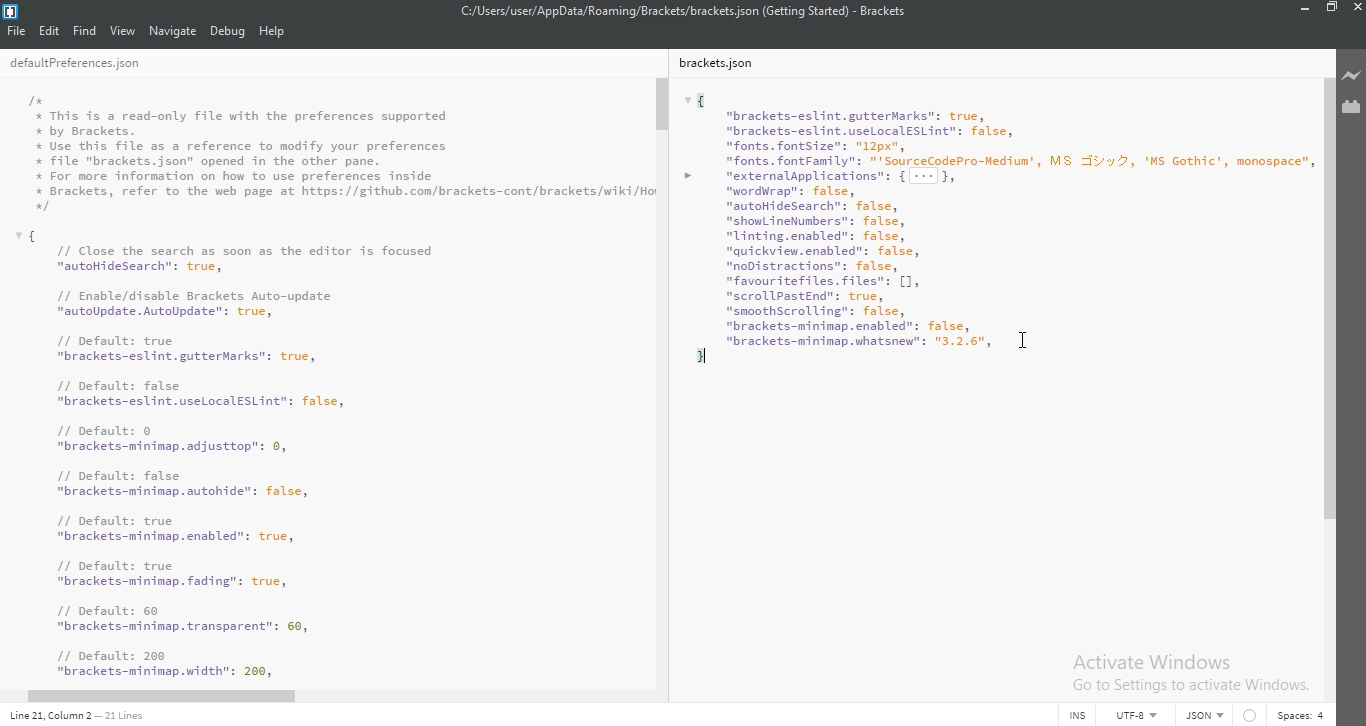  What do you see at coordinates (1351, 106) in the screenshot?
I see `Extension Manager` at bounding box center [1351, 106].